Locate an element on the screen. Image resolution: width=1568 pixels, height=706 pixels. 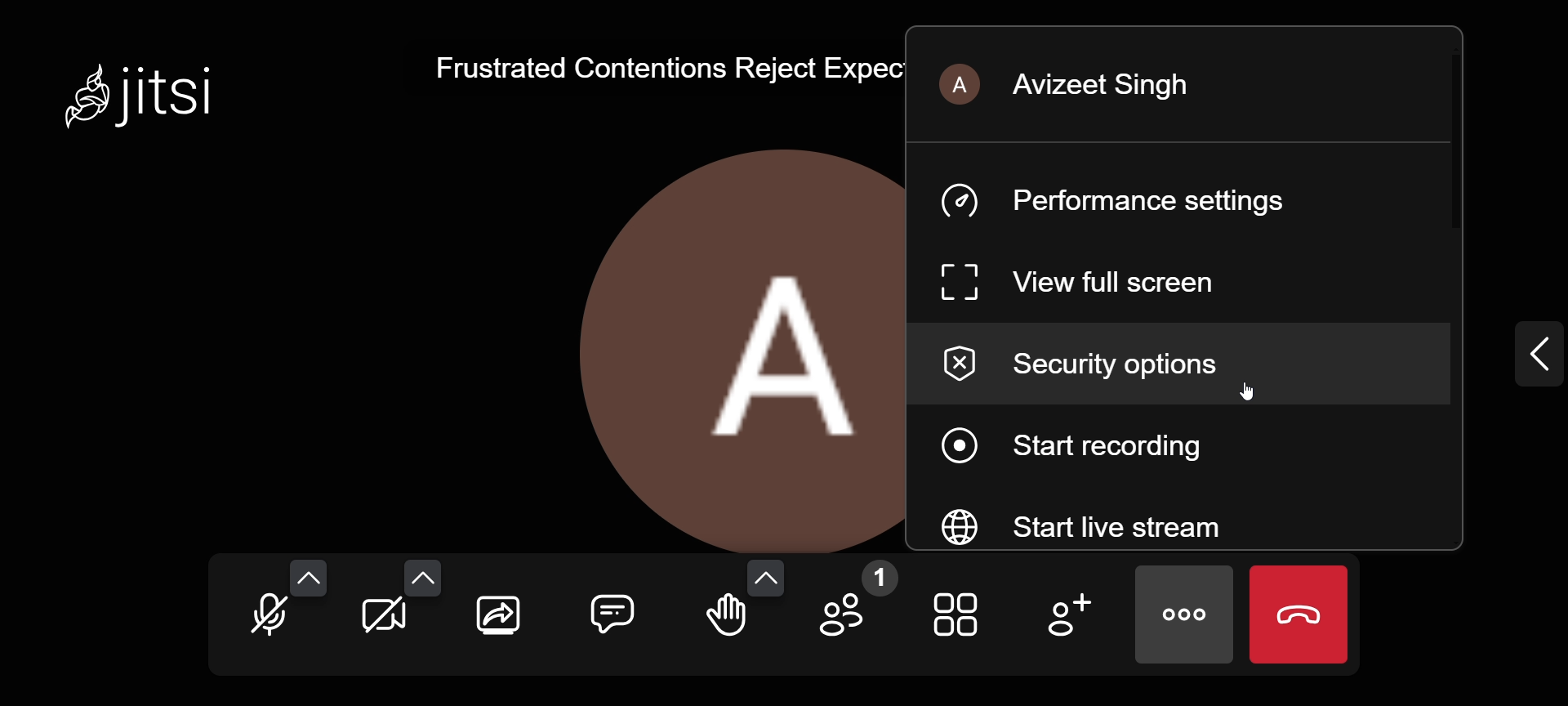
expand is located at coordinates (1523, 352).